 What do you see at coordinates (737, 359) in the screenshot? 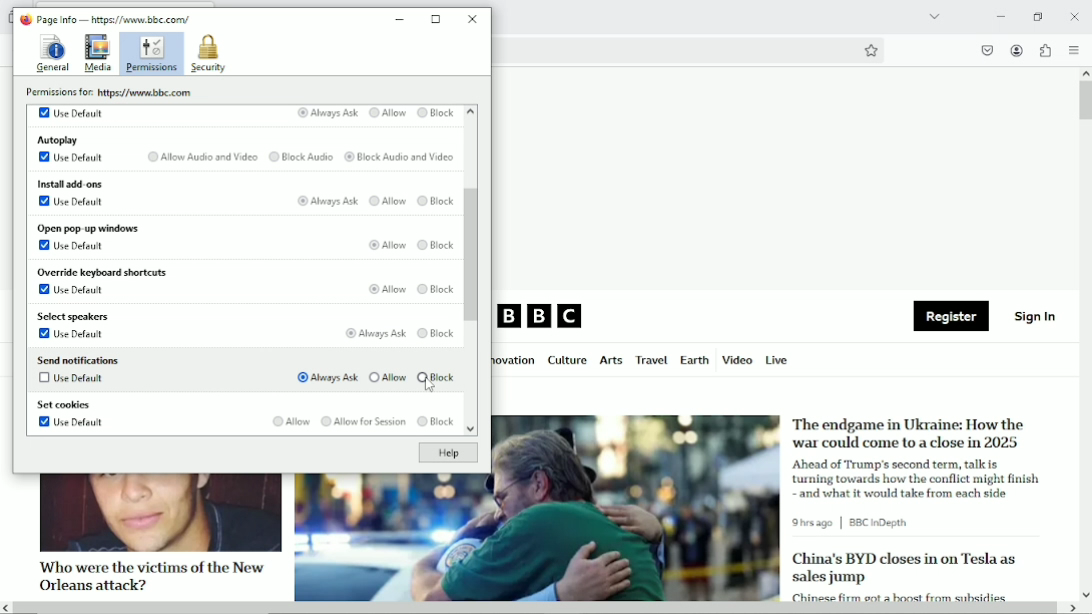
I see `Video` at bounding box center [737, 359].